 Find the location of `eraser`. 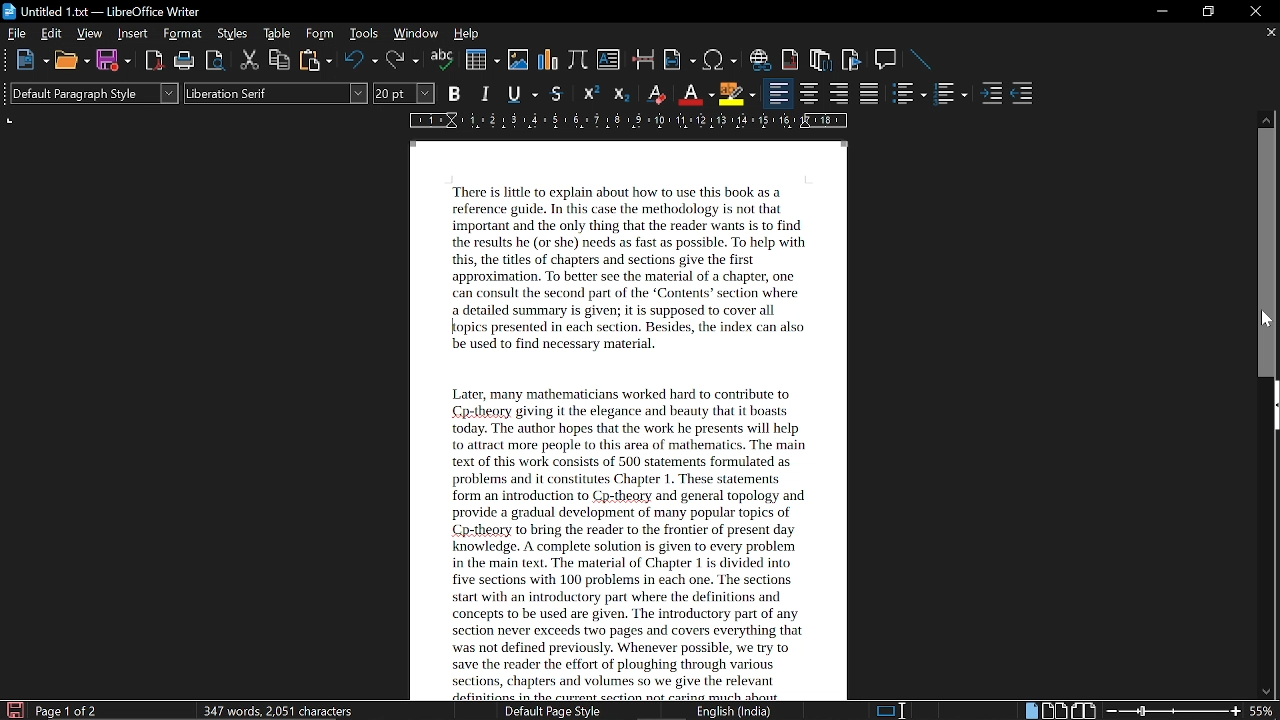

eraser is located at coordinates (657, 93).